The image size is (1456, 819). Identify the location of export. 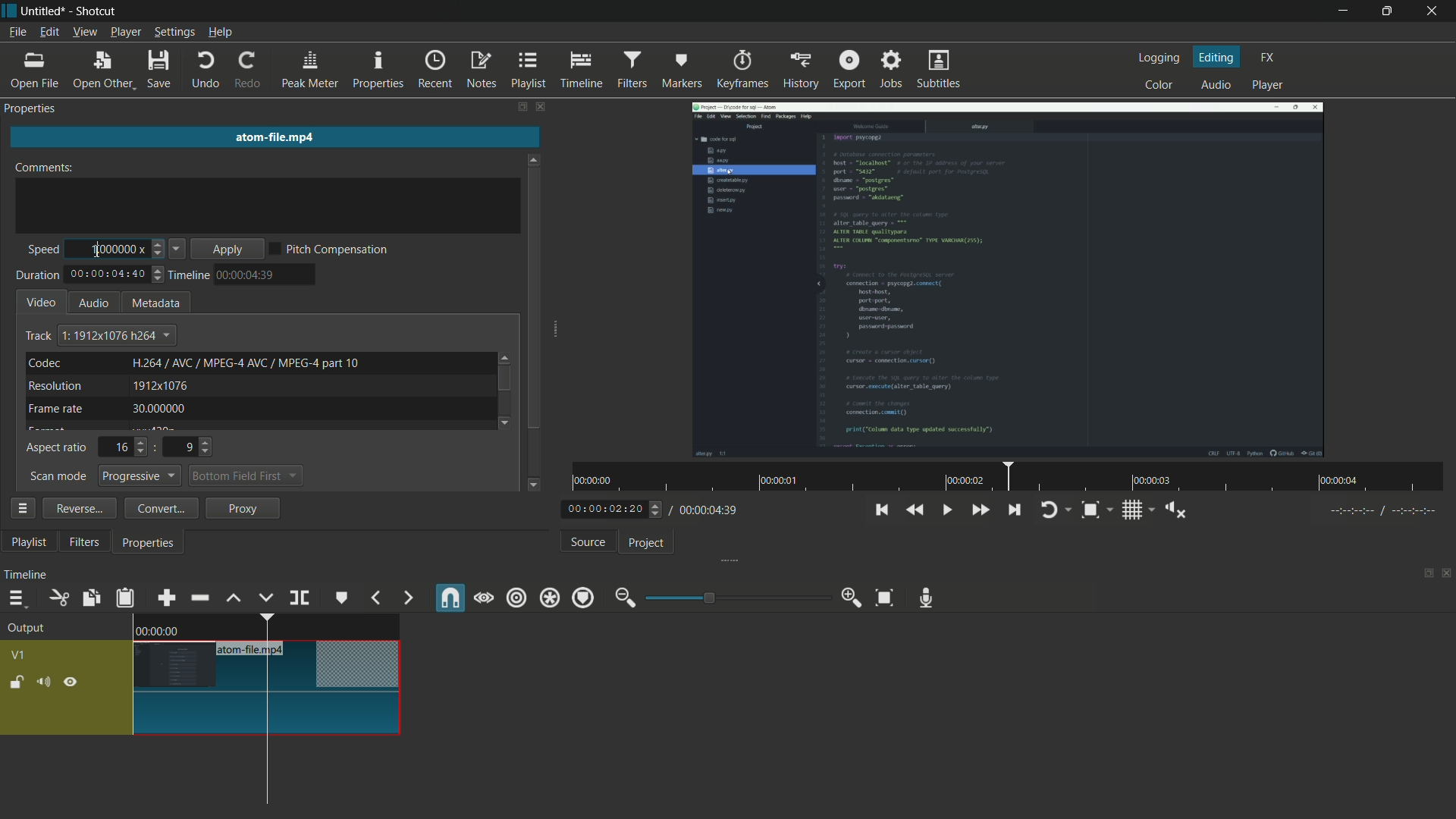
(850, 70).